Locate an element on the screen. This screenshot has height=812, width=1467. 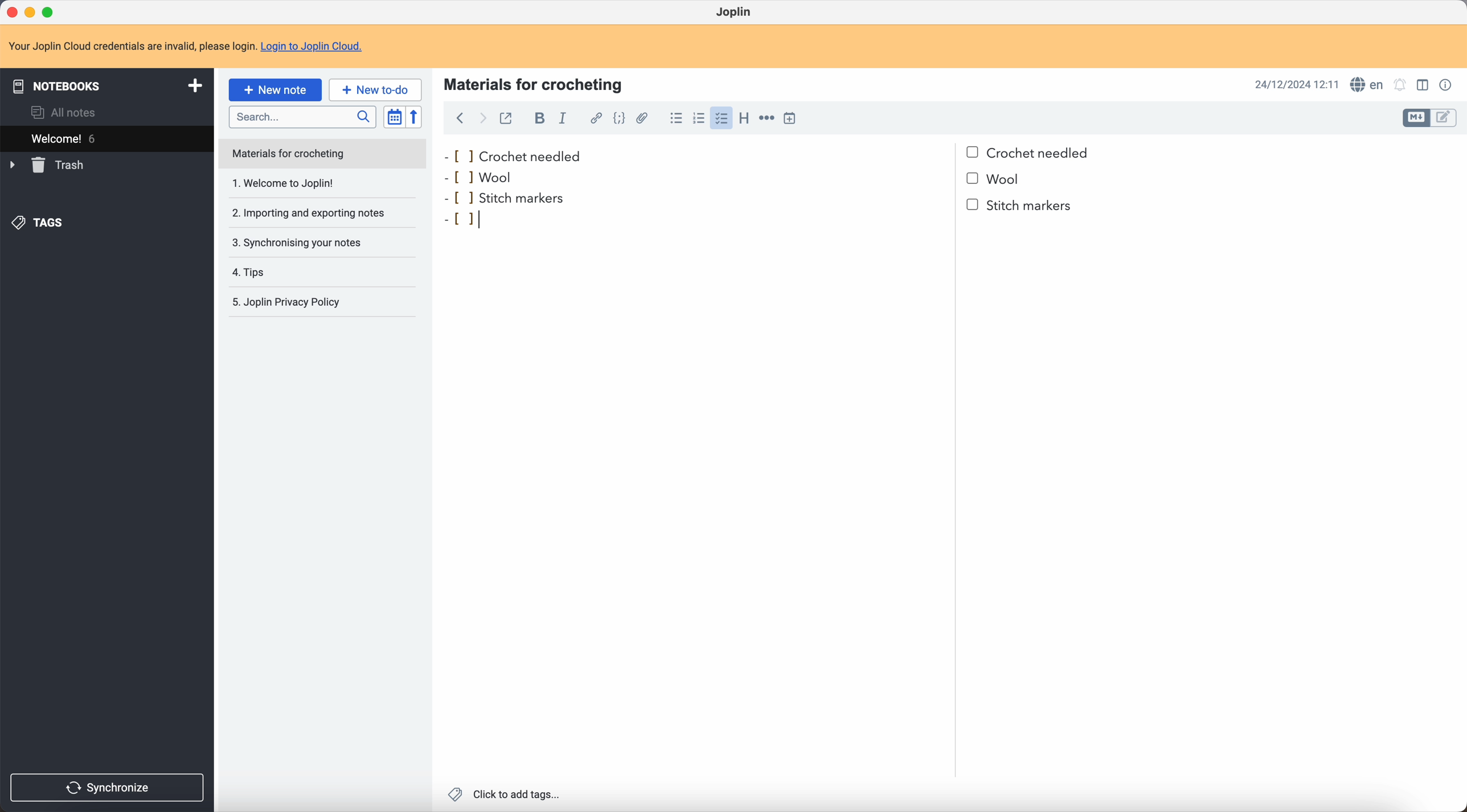
toggle edit layout is located at coordinates (1445, 117).